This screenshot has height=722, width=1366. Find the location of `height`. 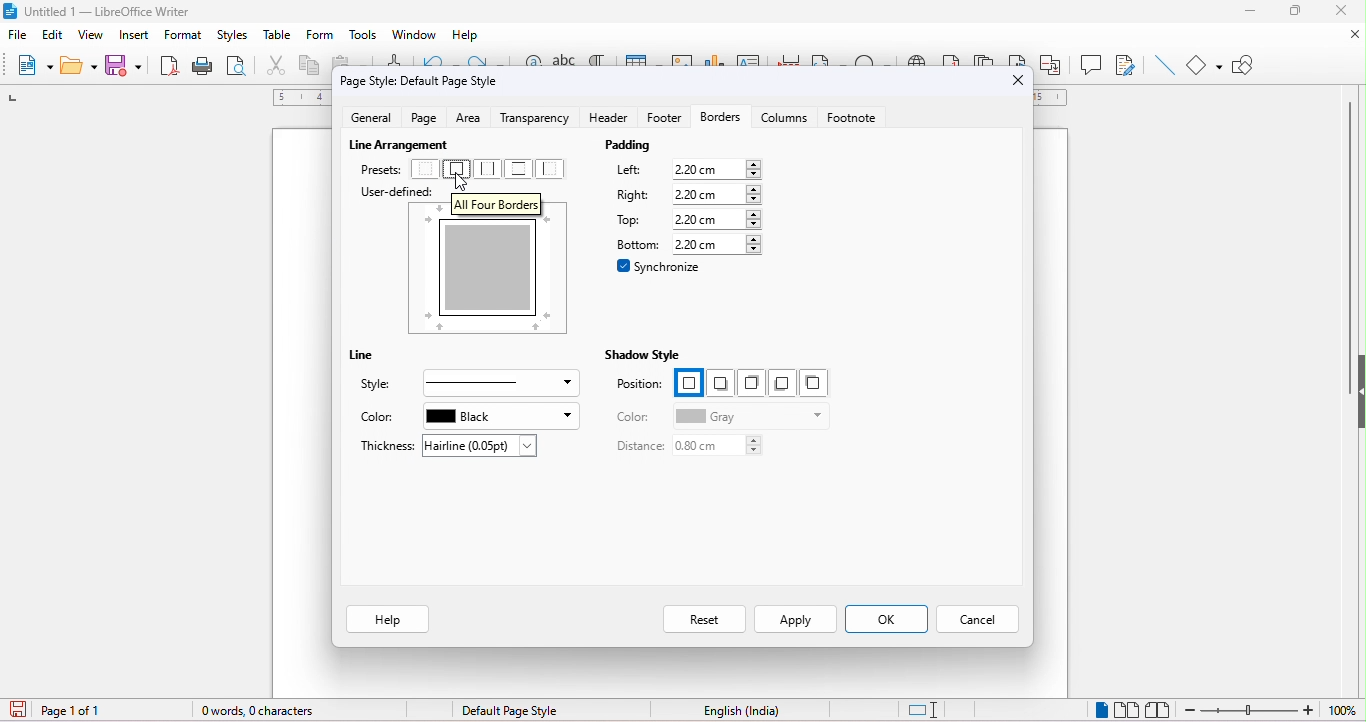

height is located at coordinates (1357, 385).